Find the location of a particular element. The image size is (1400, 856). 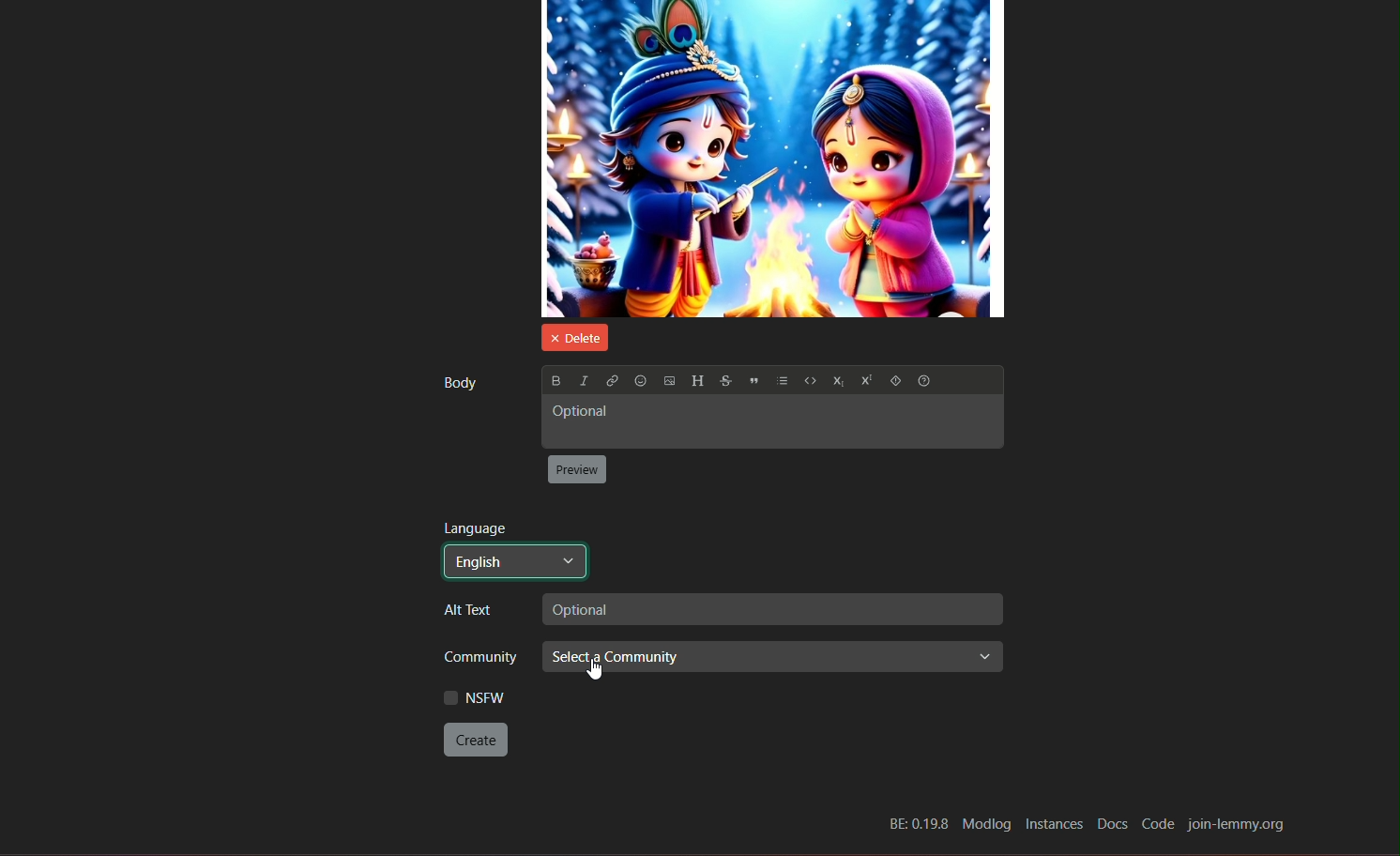

 is located at coordinates (864, 382).